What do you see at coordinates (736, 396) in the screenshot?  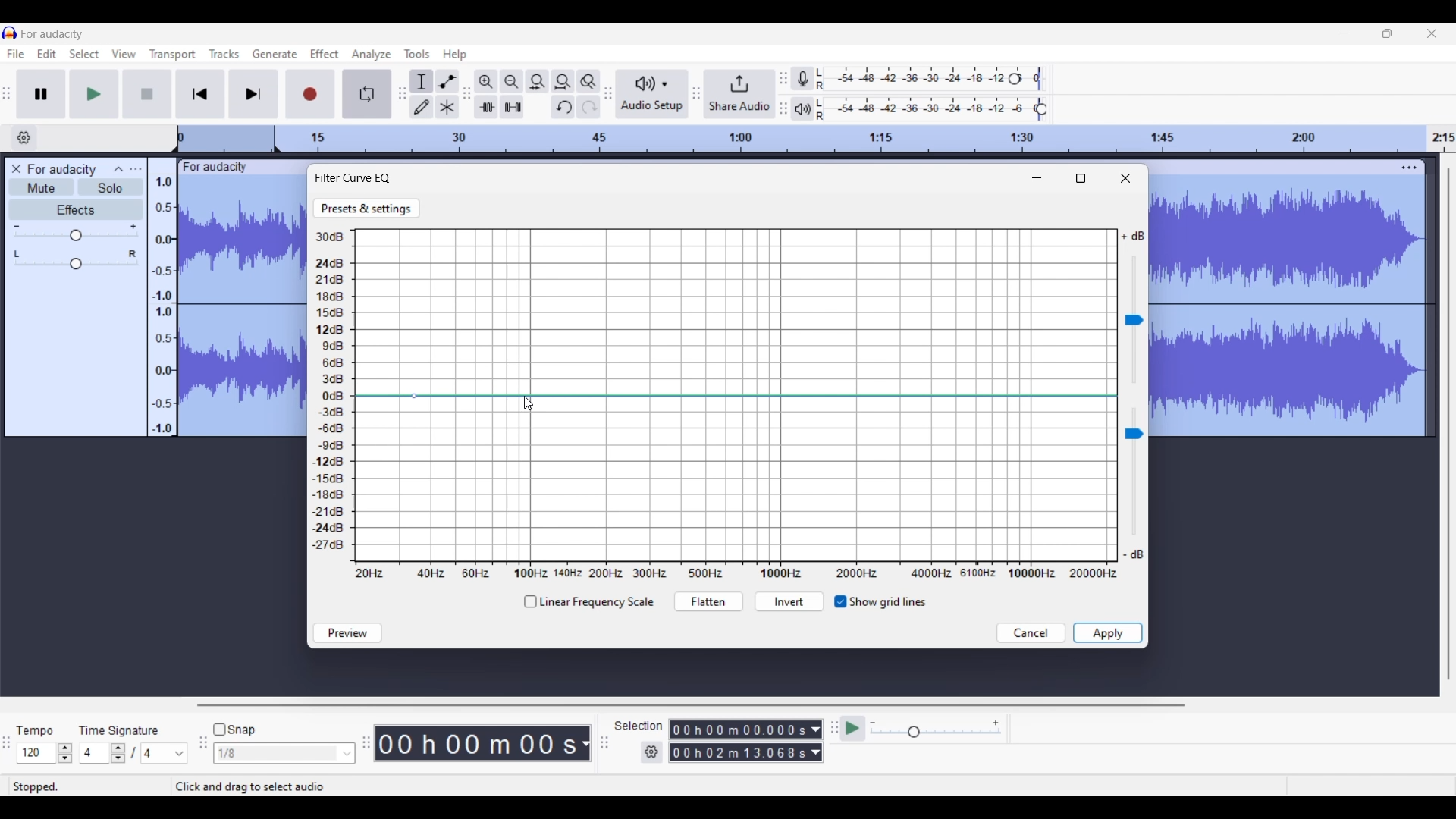 I see `Current curve` at bounding box center [736, 396].